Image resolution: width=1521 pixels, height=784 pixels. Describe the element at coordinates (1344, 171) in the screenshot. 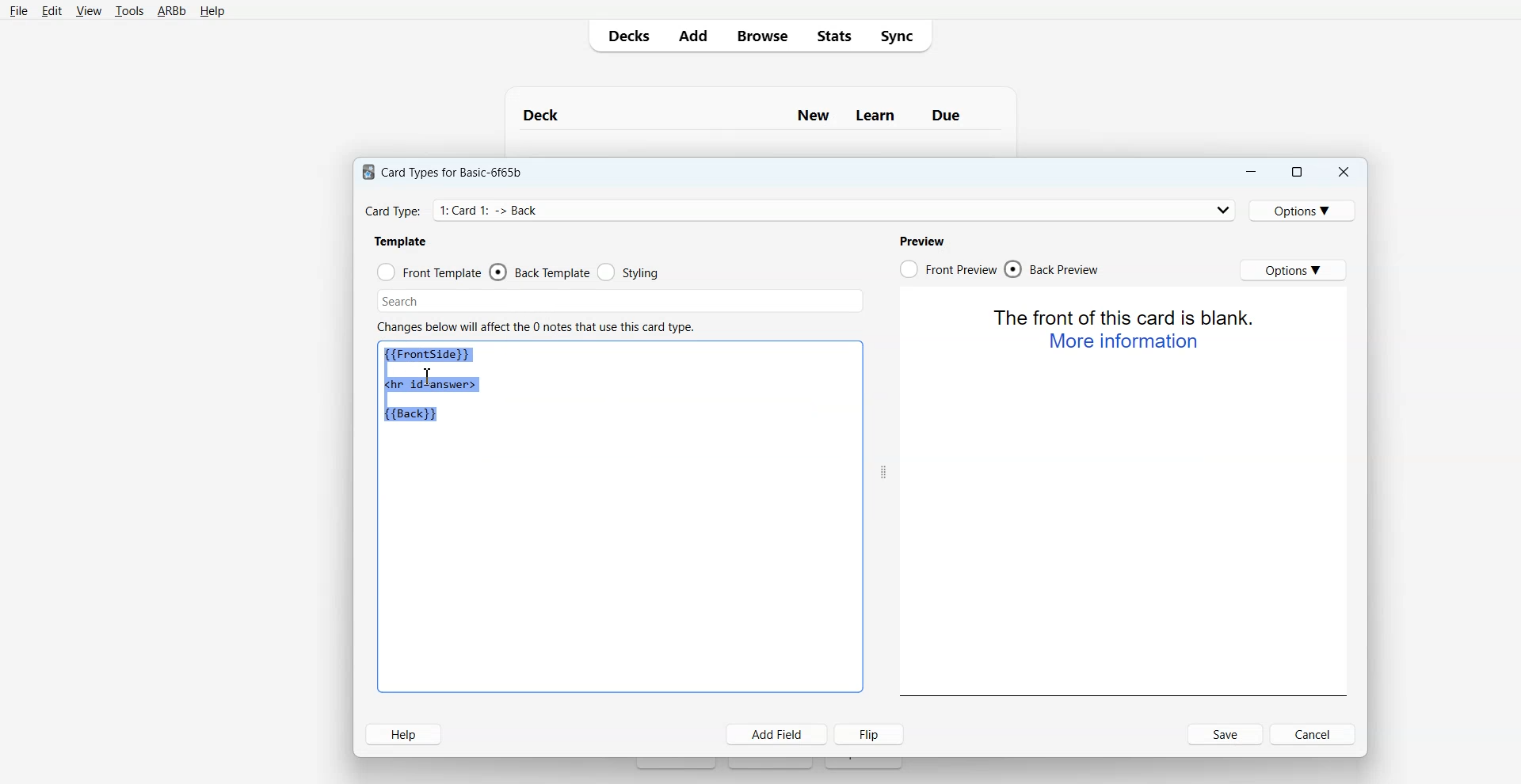

I see `Close` at that location.